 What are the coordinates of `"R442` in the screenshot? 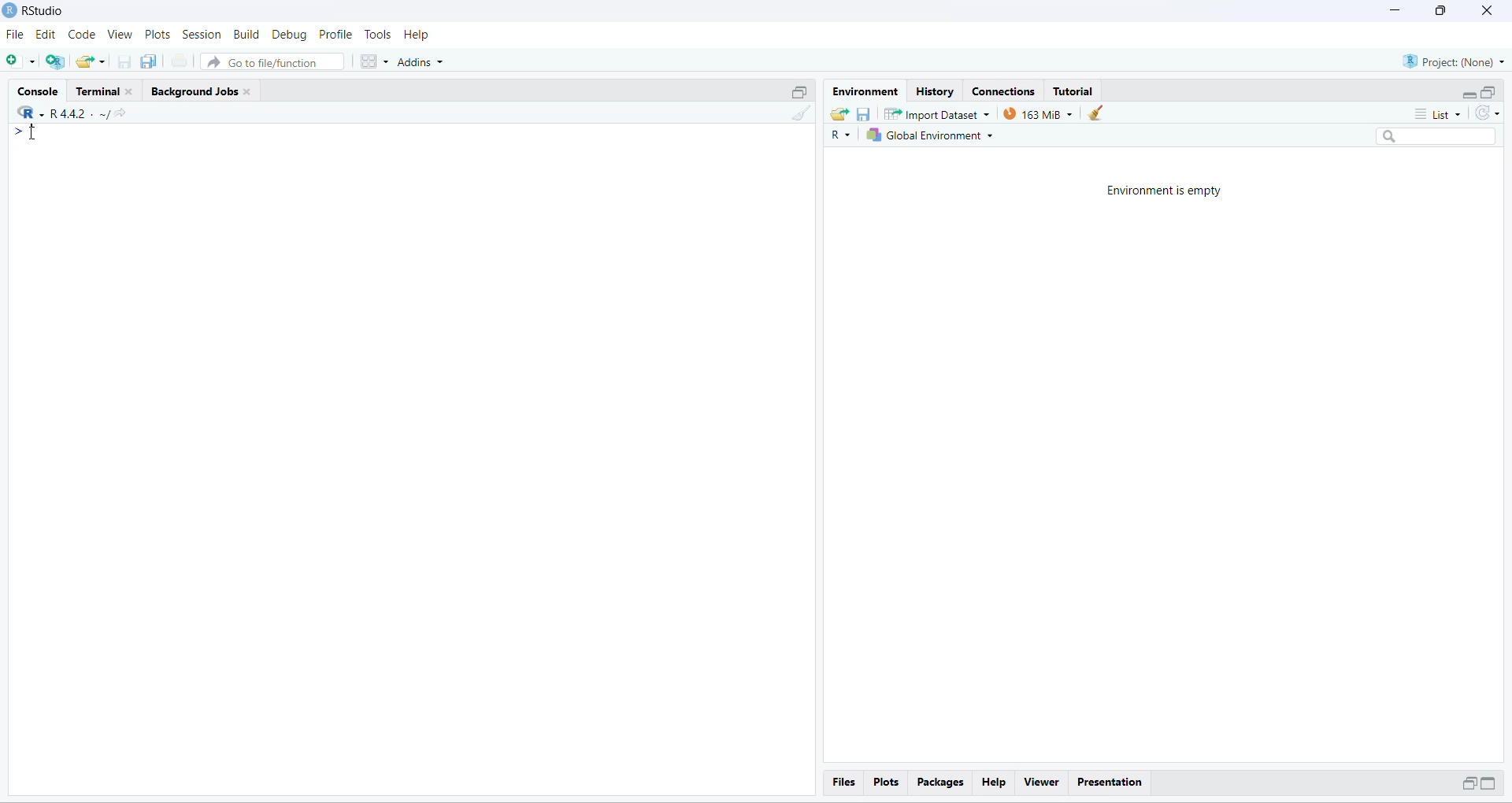 It's located at (51, 113).